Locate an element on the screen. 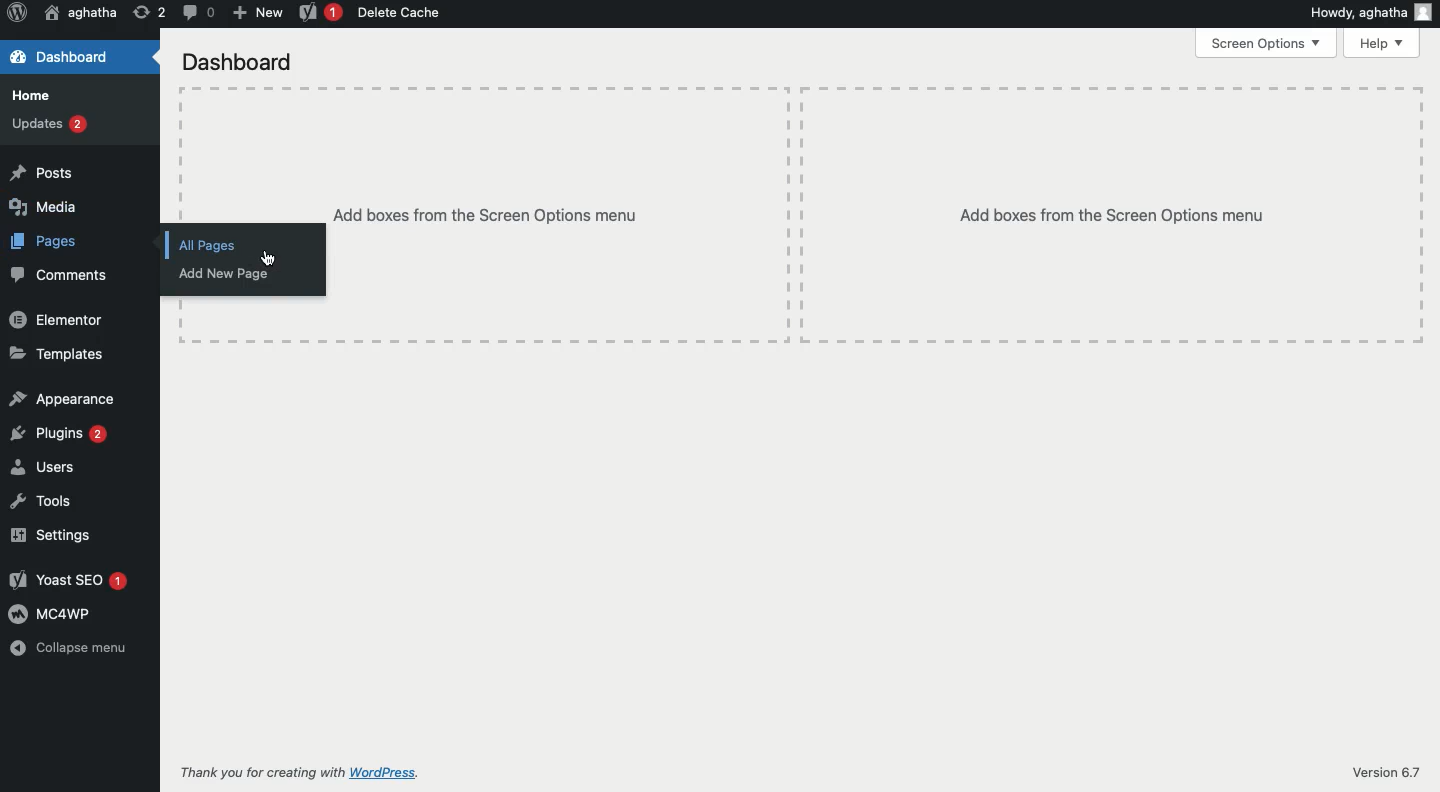 The height and width of the screenshot is (792, 1440). Users is located at coordinates (44, 466).